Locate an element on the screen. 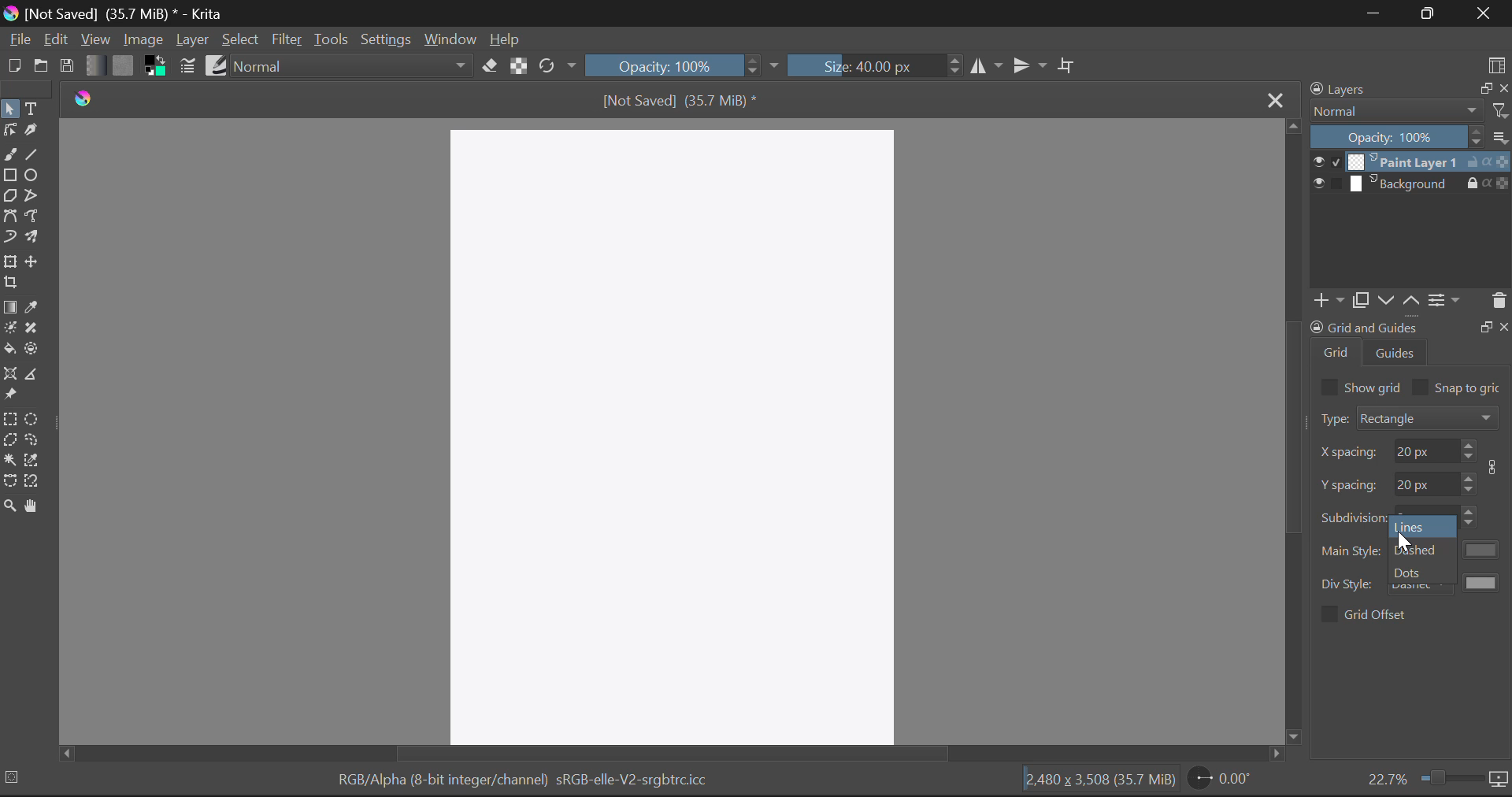  Enclose and fill is located at coordinates (34, 350).